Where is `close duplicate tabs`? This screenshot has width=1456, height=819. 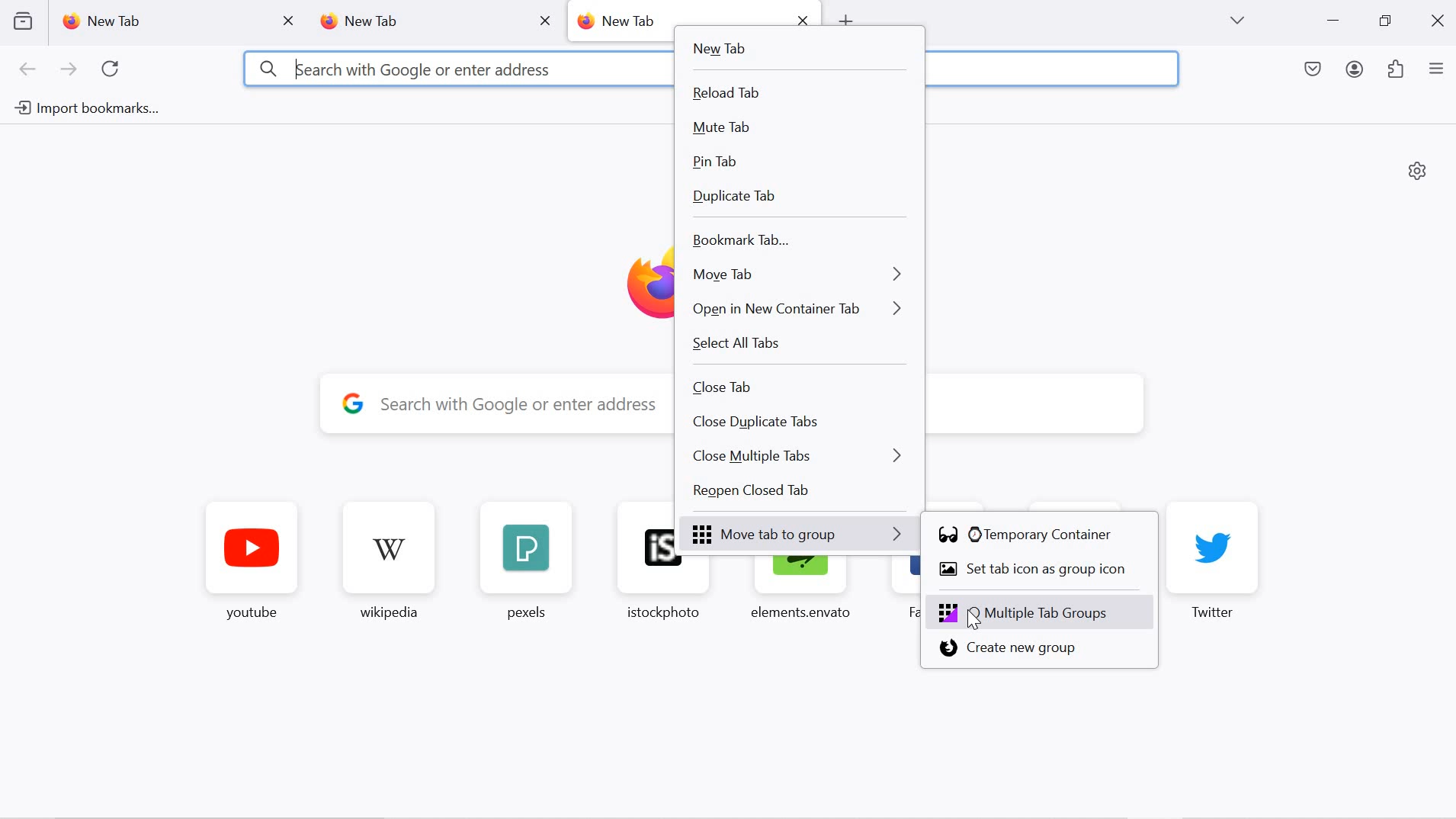
close duplicate tabs is located at coordinates (800, 423).